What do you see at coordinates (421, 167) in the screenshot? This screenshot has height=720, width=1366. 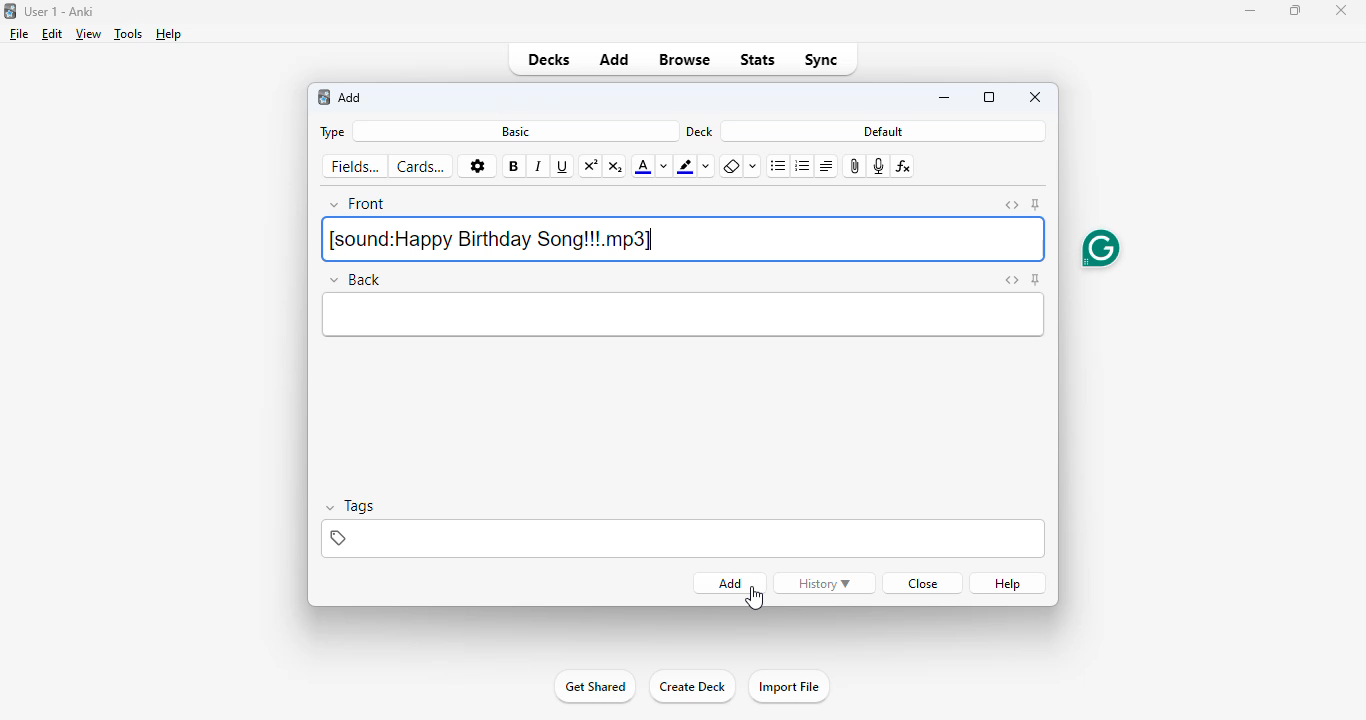 I see `cards` at bounding box center [421, 167].